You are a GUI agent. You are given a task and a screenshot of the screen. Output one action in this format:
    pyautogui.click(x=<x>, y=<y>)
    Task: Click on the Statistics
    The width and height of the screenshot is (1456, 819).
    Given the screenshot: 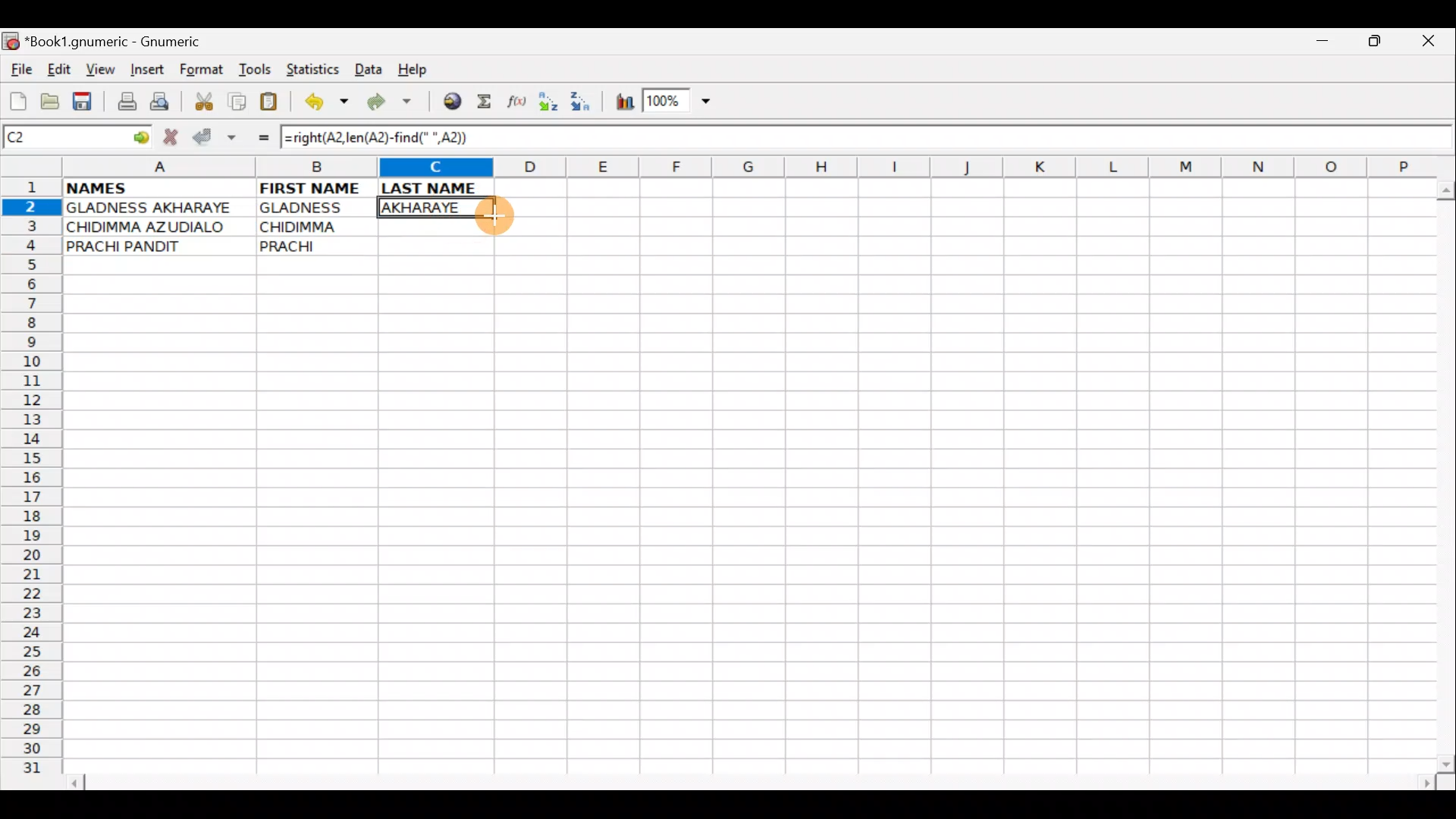 What is the action you would take?
    pyautogui.click(x=314, y=68)
    